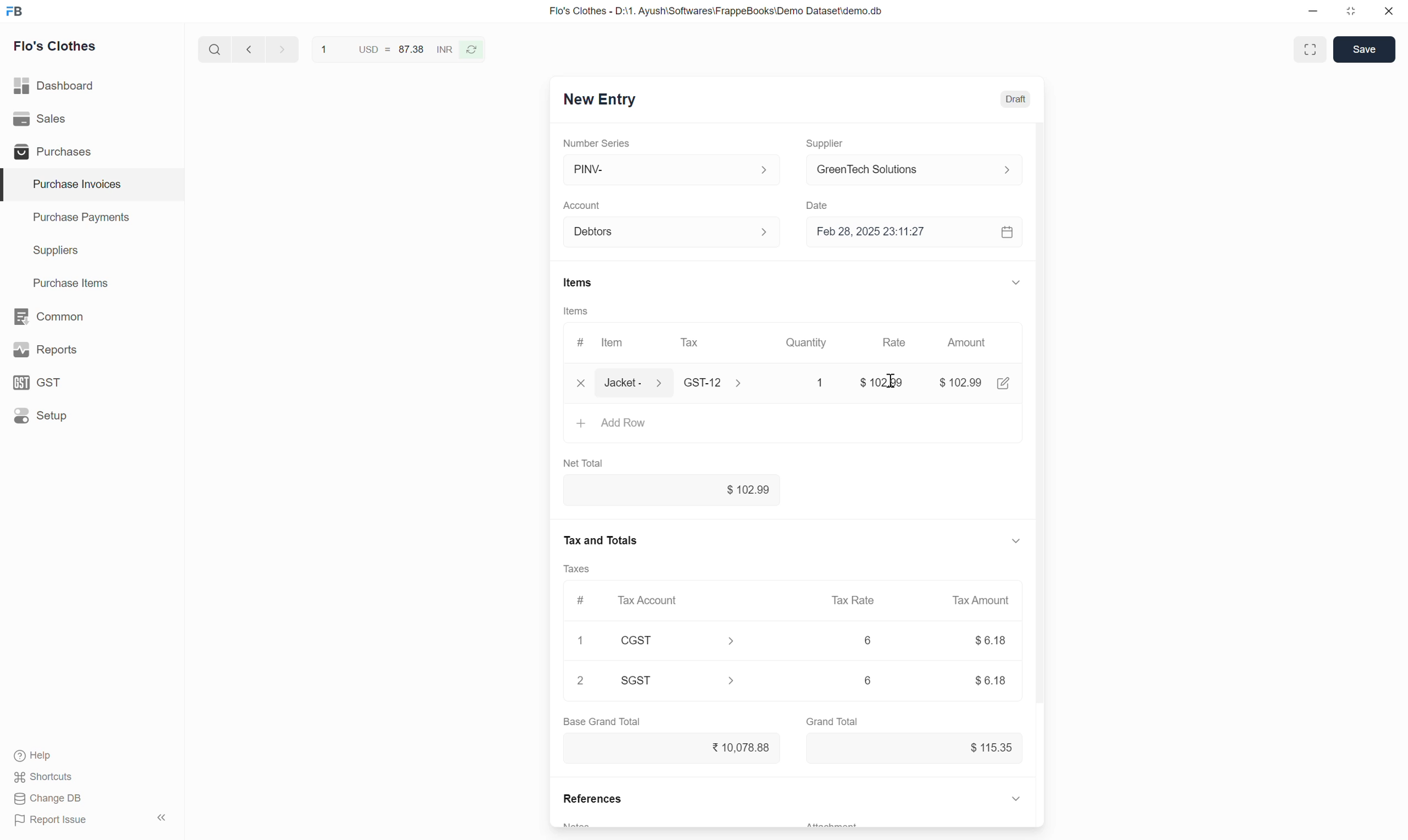 This screenshot has height=840, width=1408. Describe the element at coordinates (672, 748) in the screenshot. I see `10,078.88` at that location.